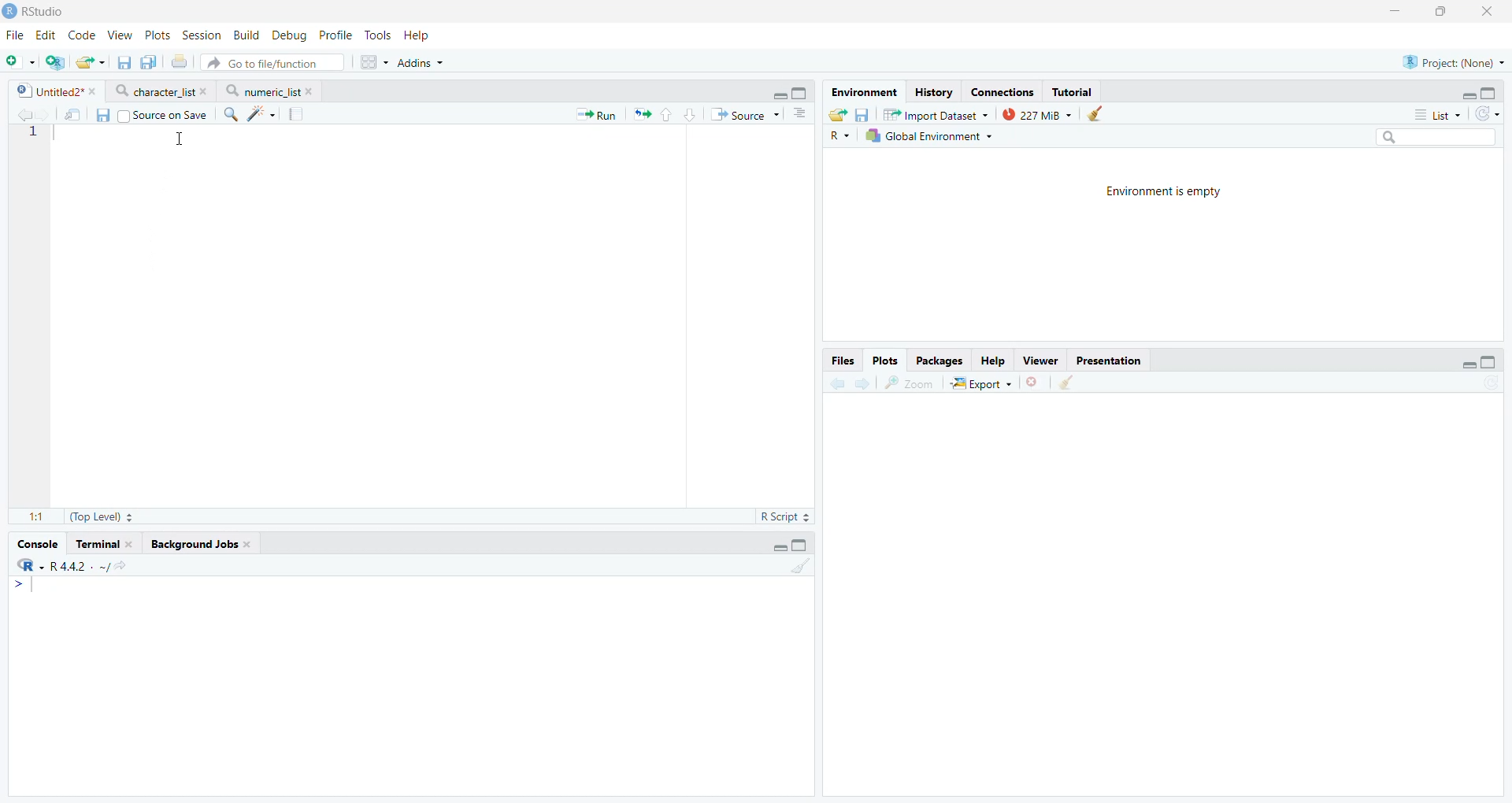 The image size is (1512, 803). What do you see at coordinates (778, 94) in the screenshot?
I see `Hide` at bounding box center [778, 94].